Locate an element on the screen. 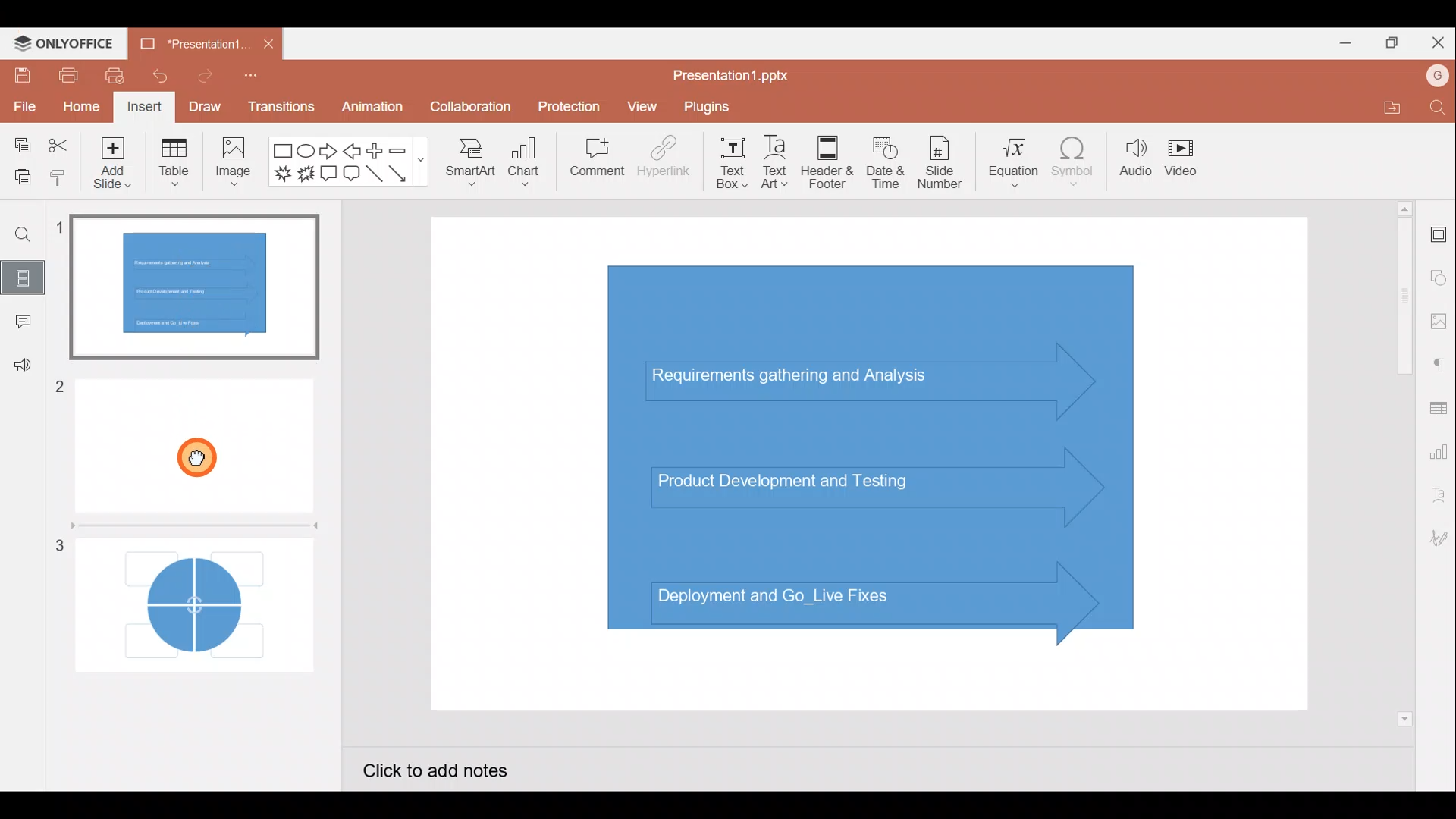 The height and width of the screenshot is (819, 1456). Minus is located at coordinates (406, 151).